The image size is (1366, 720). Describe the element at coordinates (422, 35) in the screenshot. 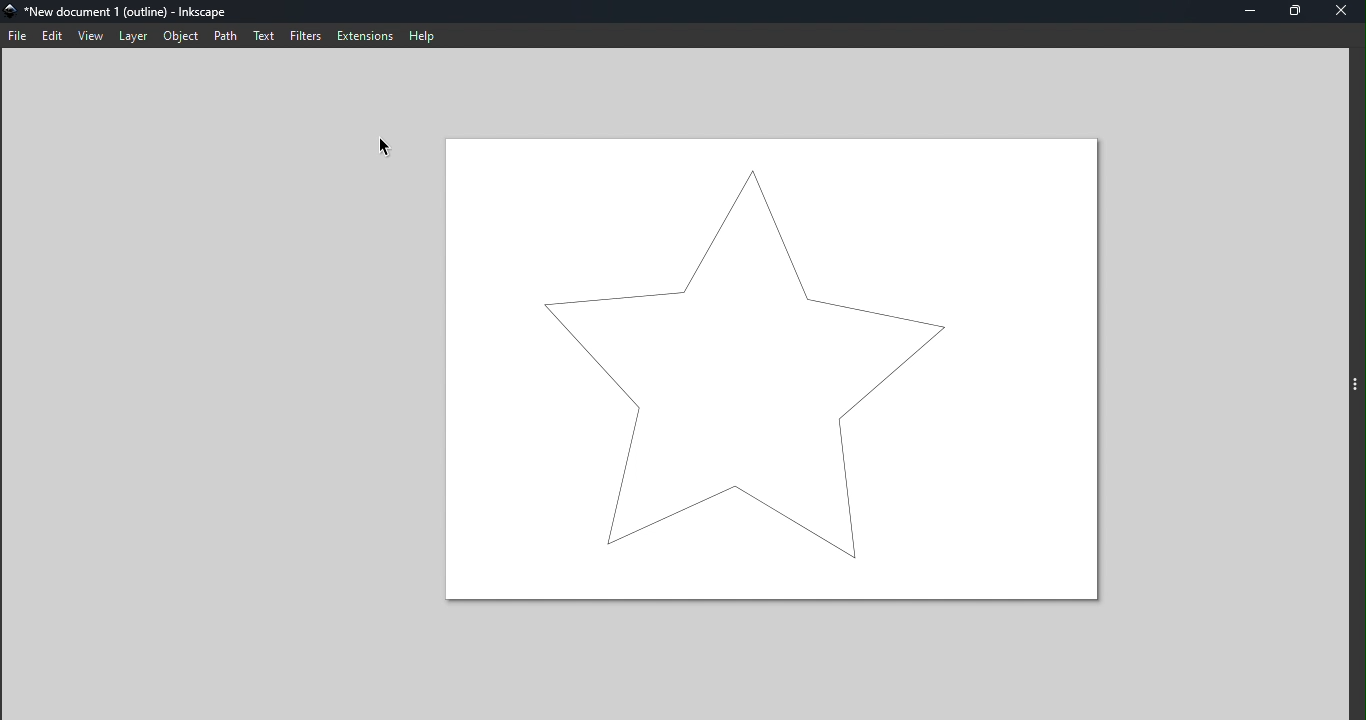

I see `Help` at that location.